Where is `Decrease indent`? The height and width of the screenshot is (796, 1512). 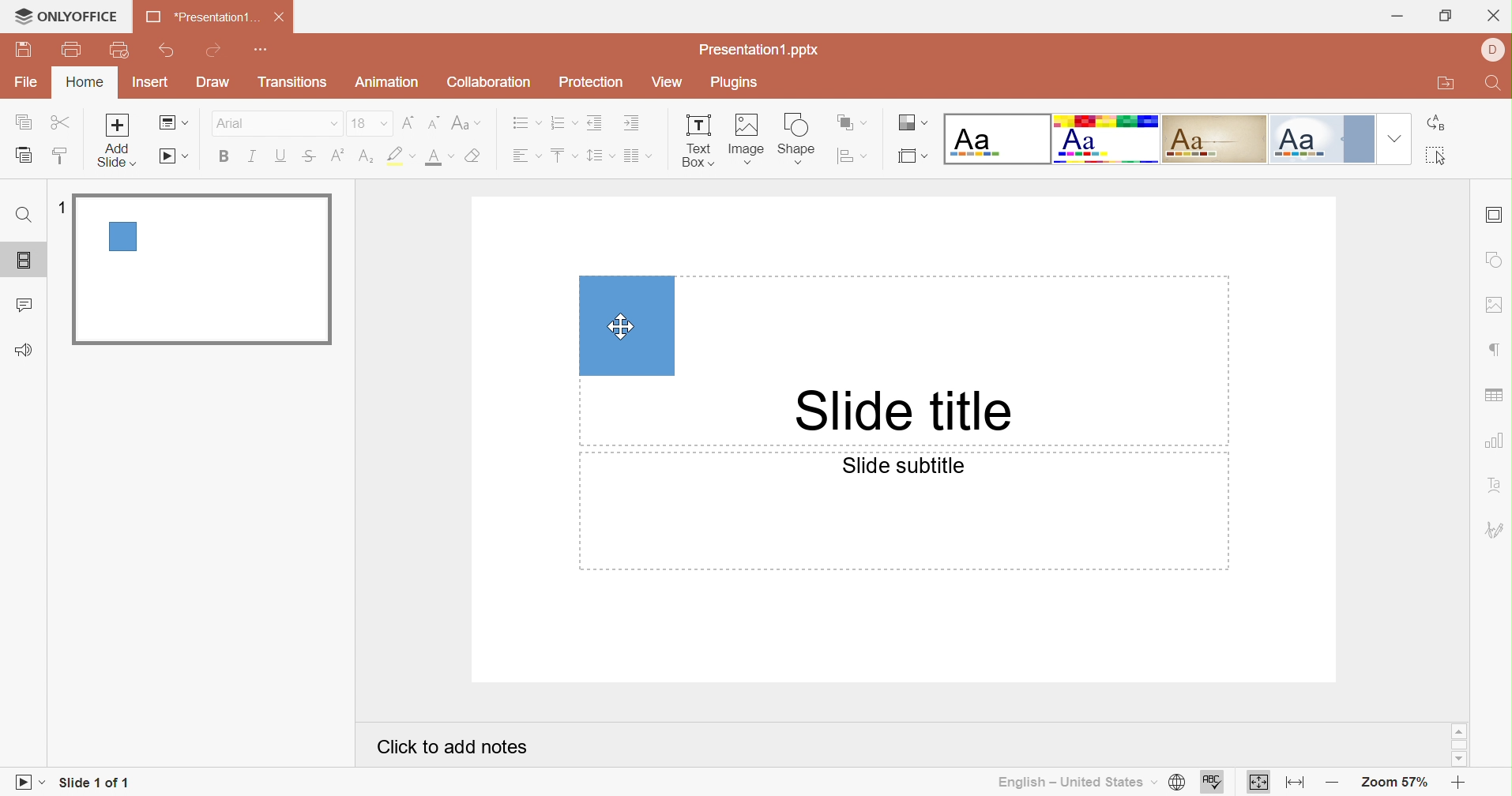
Decrease indent is located at coordinates (596, 122).